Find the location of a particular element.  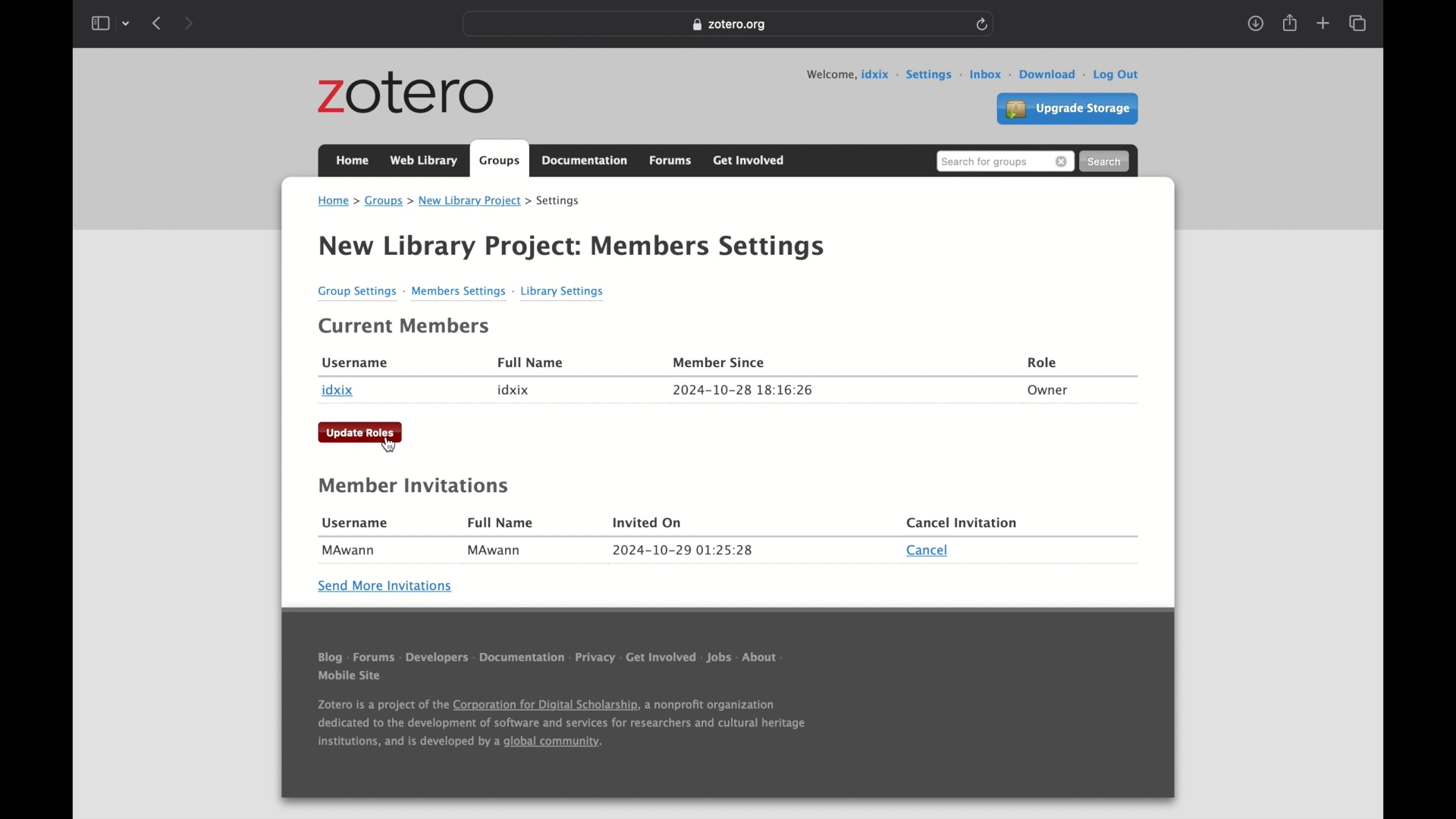

MAwann is located at coordinates (495, 551).